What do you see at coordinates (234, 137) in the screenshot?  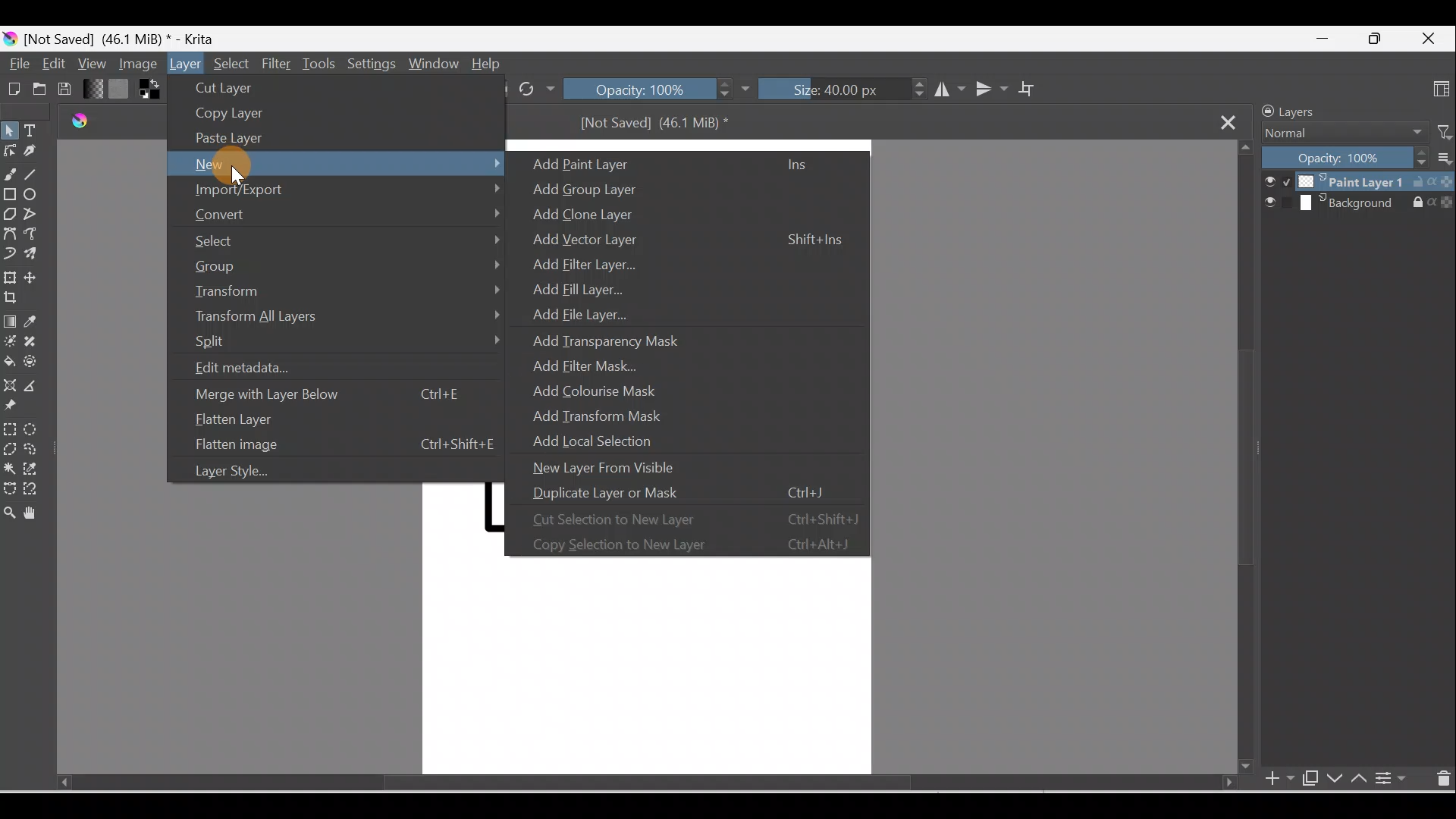 I see `Paste layer` at bounding box center [234, 137].